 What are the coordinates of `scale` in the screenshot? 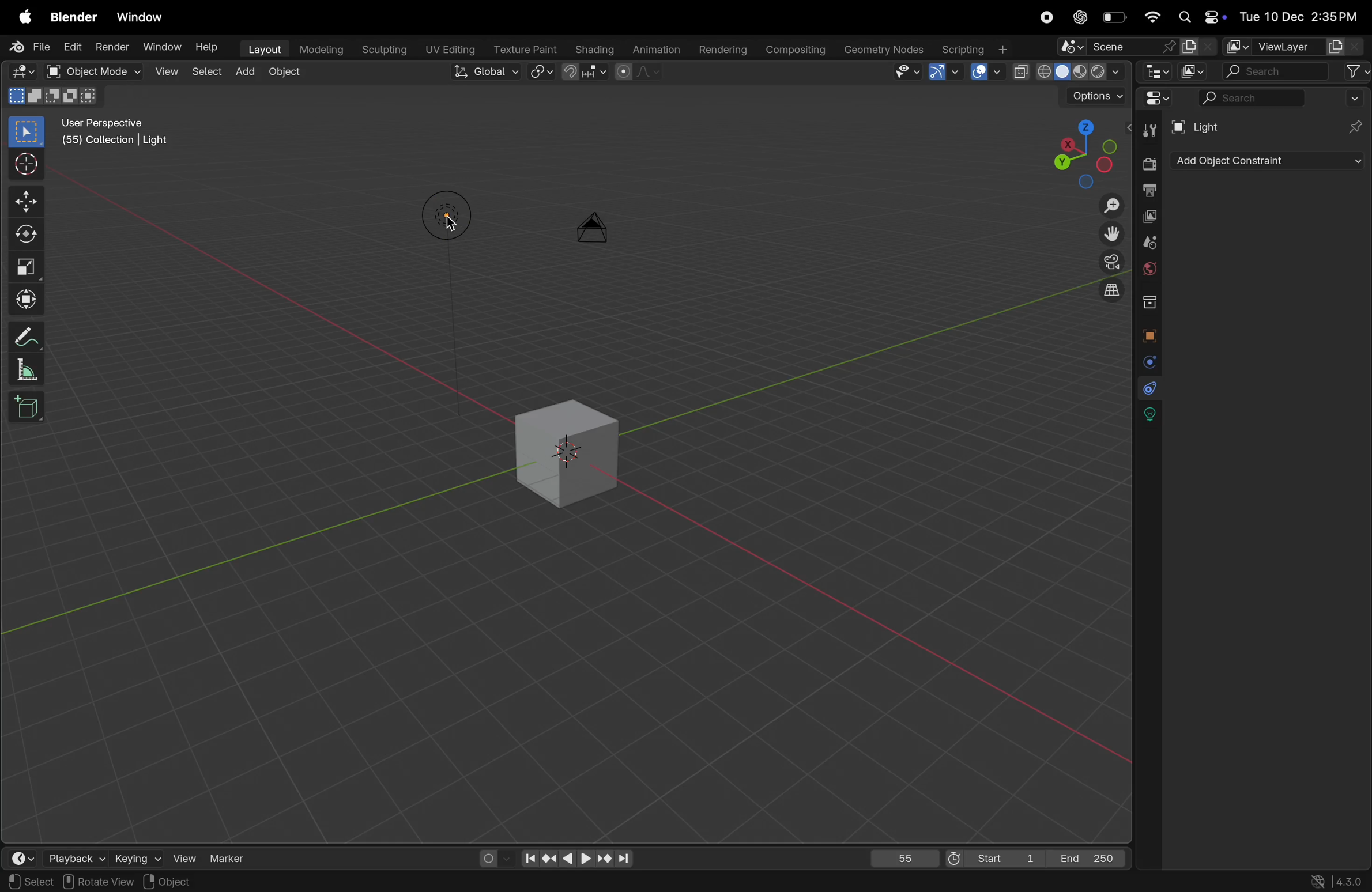 It's located at (31, 269).